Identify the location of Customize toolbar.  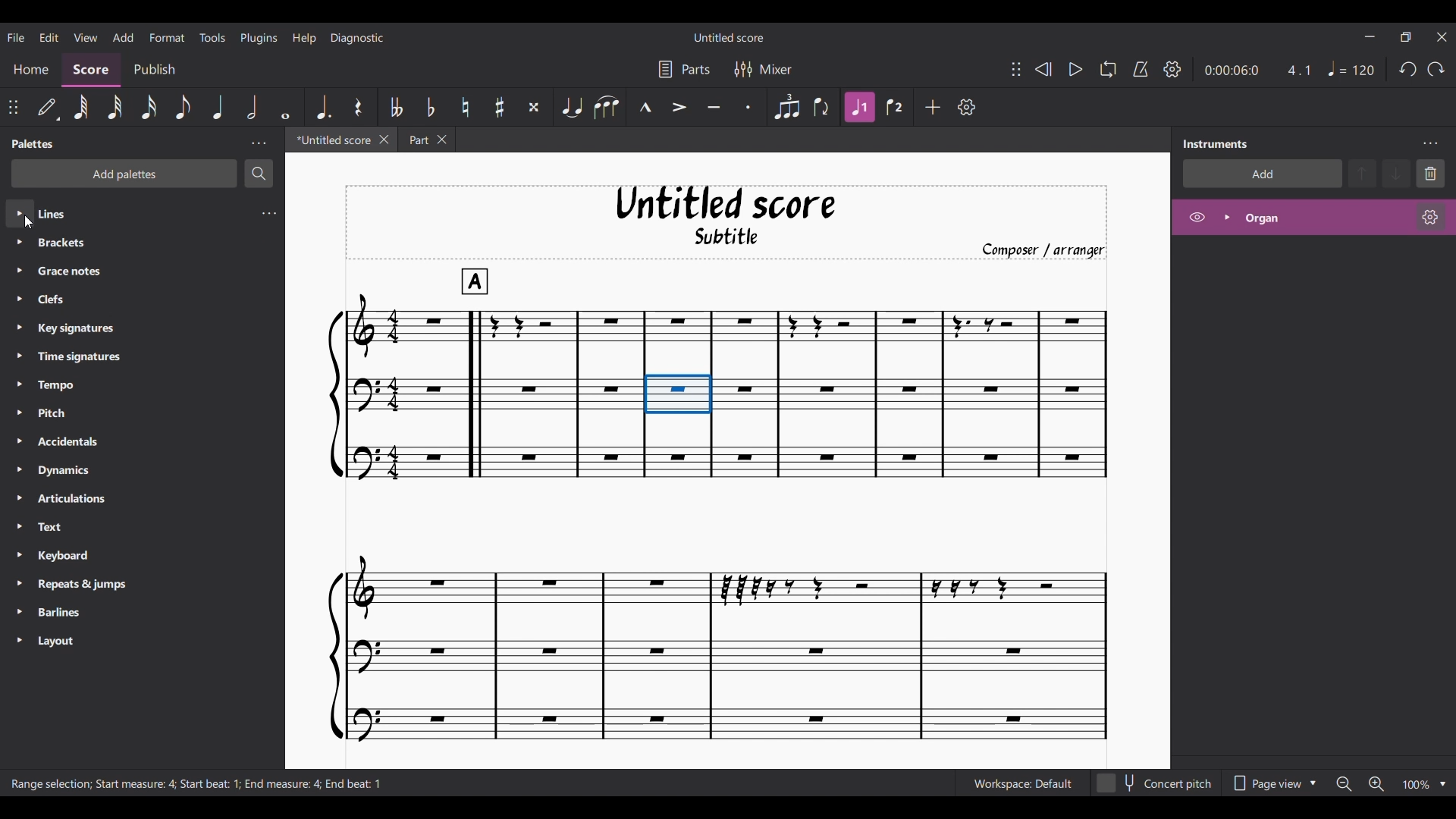
(967, 107).